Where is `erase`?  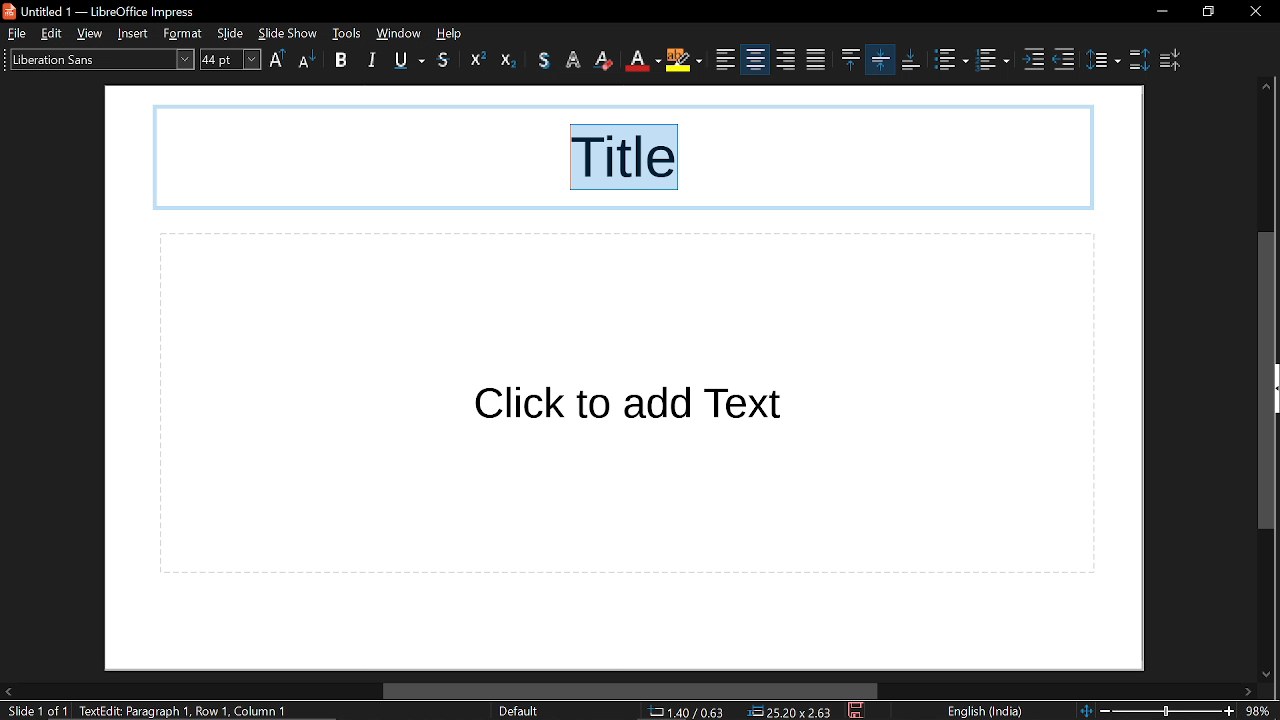
erase is located at coordinates (574, 60).